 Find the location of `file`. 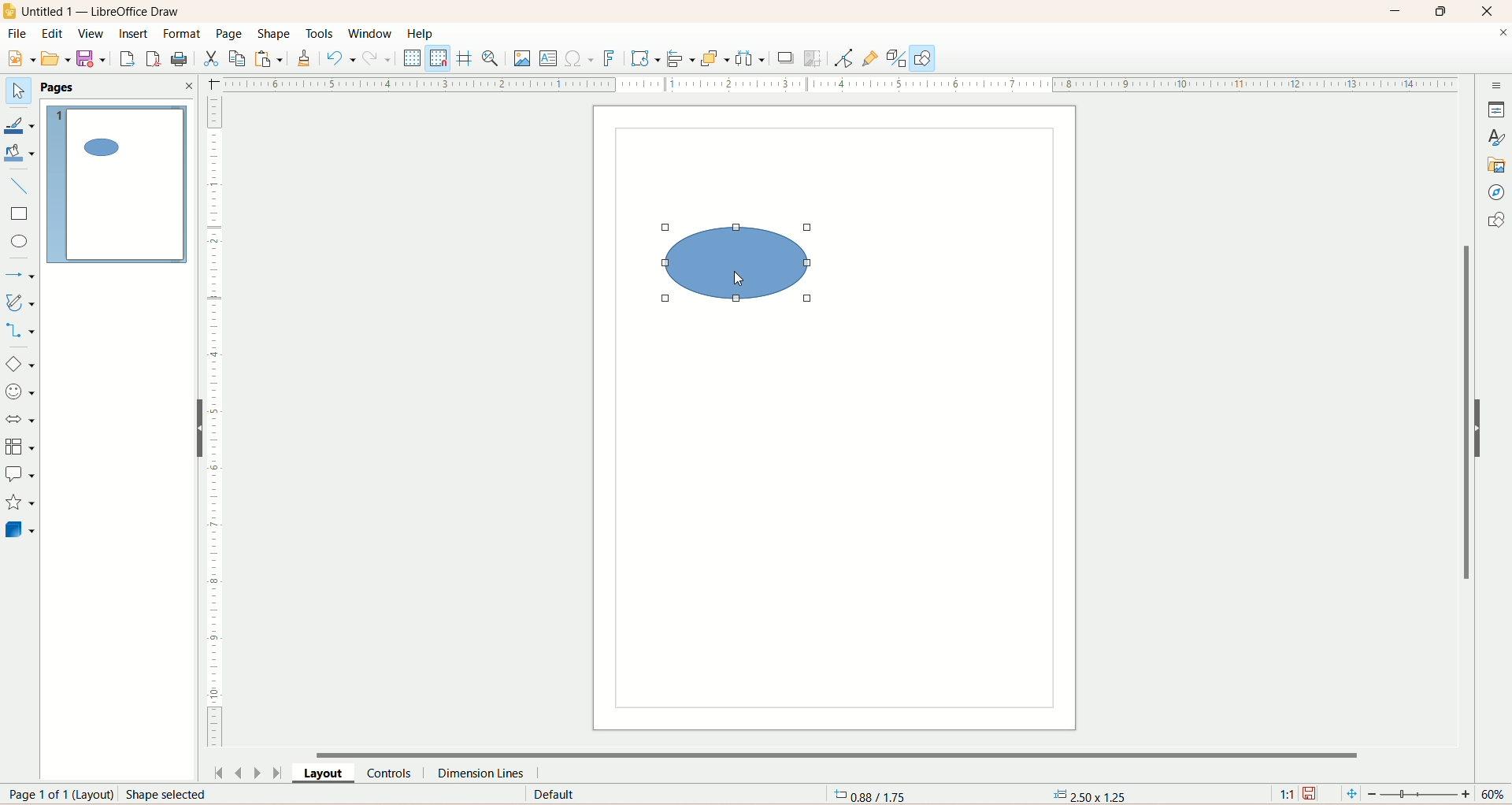

file is located at coordinates (20, 33).